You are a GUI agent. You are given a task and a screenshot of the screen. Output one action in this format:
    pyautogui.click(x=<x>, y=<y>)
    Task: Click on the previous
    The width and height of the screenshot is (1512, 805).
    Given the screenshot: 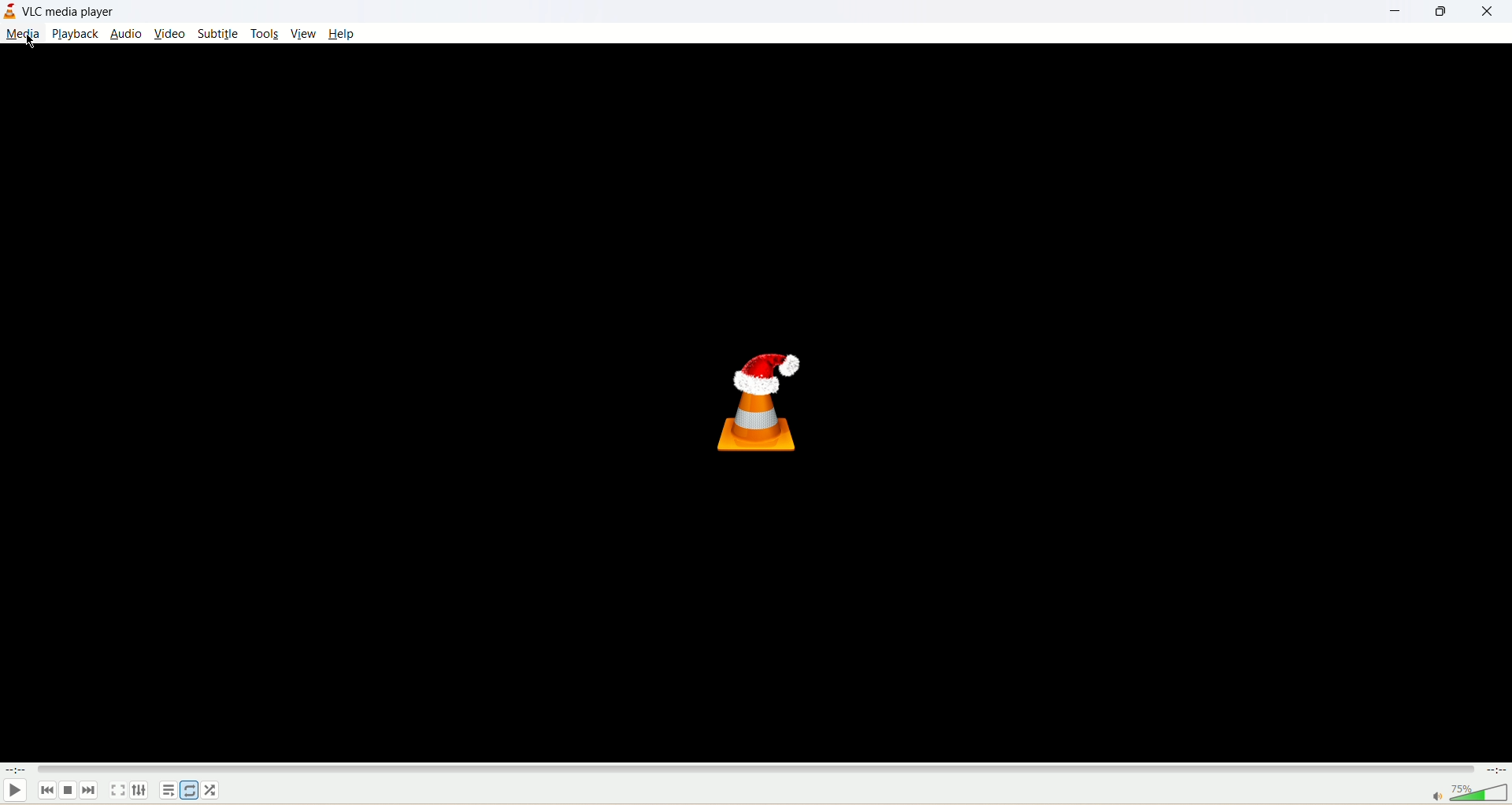 What is the action you would take?
    pyautogui.click(x=45, y=792)
    